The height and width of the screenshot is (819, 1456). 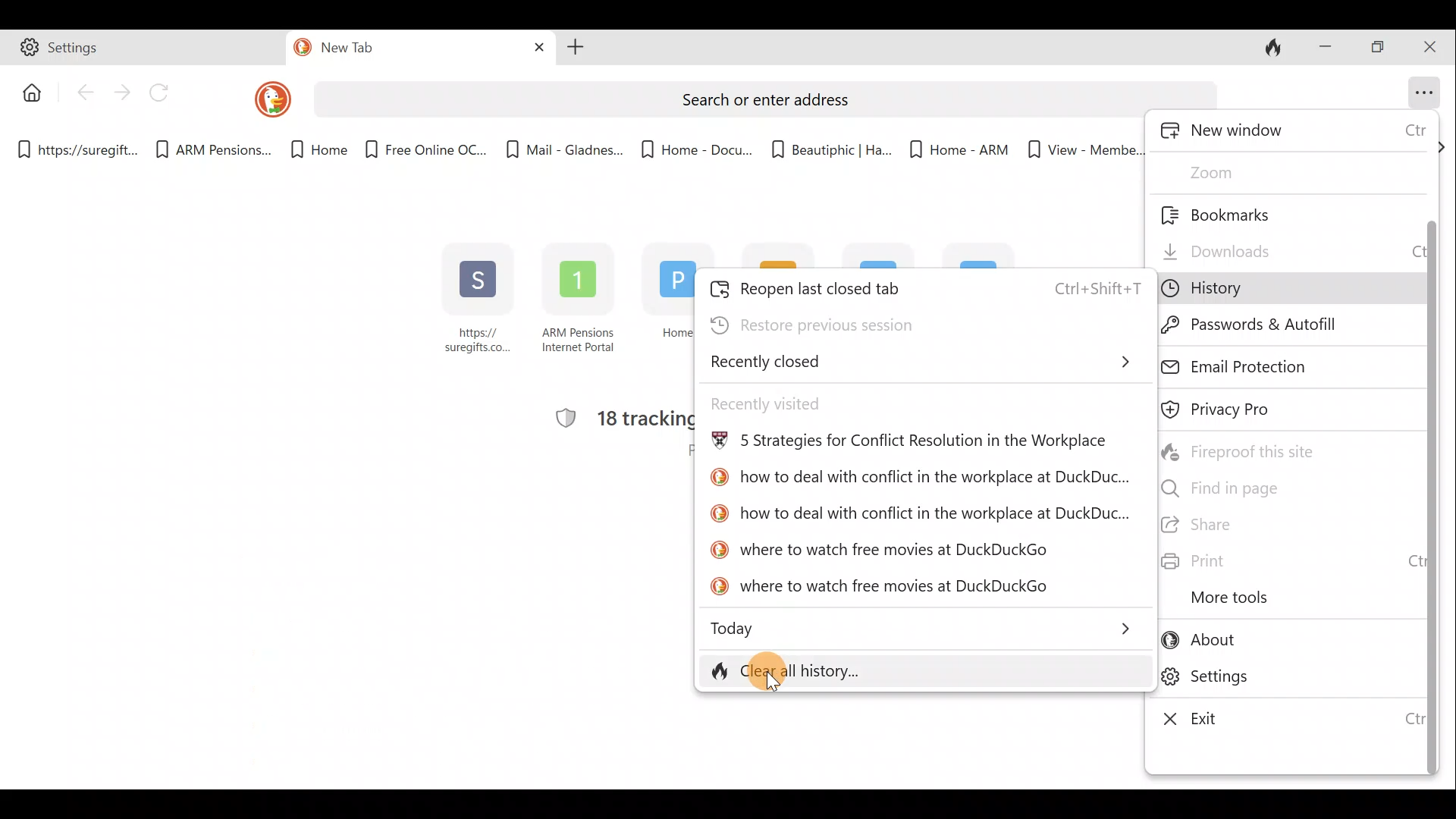 What do you see at coordinates (425, 144) in the screenshot?
I see `Free Online OC...` at bounding box center [425, 144].